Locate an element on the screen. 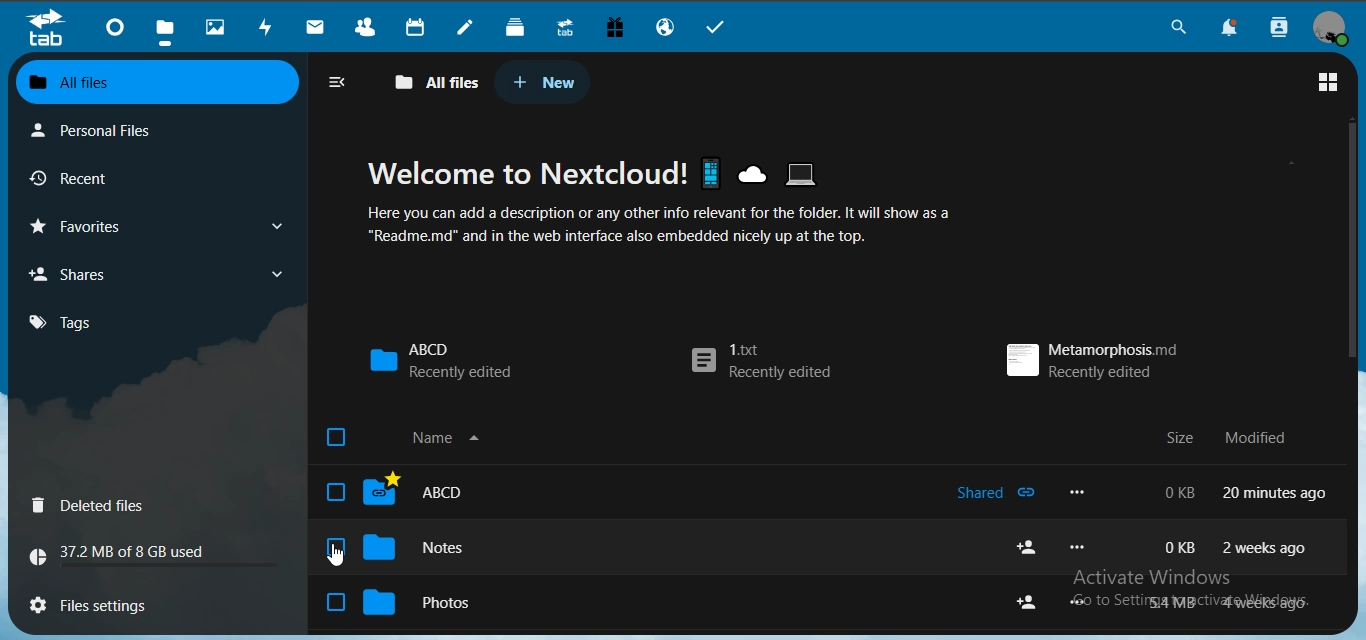  more options is located at coordinates (1079, 601).